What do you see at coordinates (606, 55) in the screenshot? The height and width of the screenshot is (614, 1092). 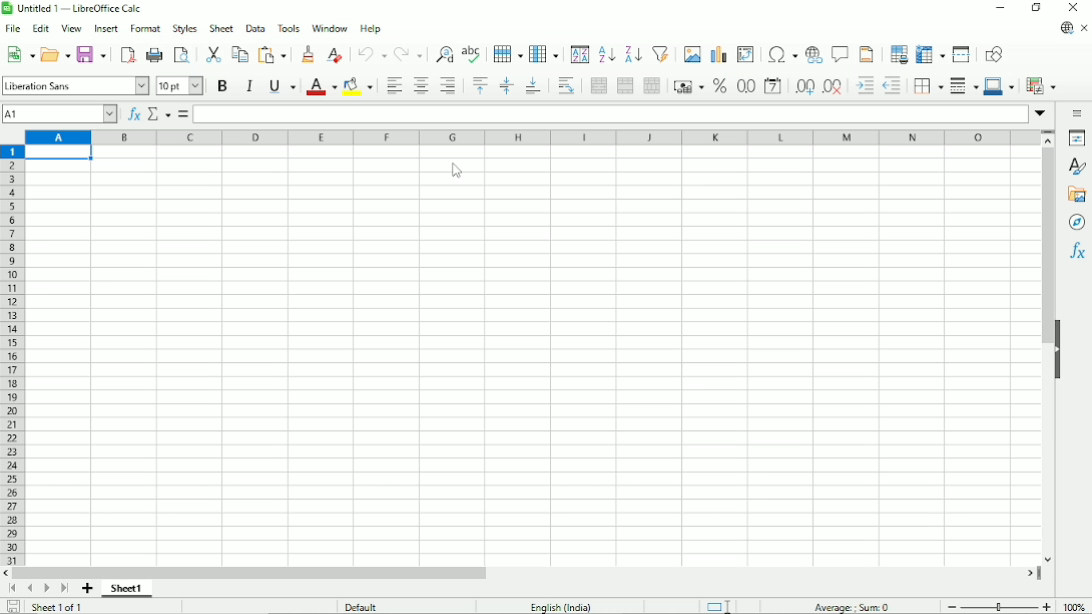 I see `Sort ascending` at bounding box center [606, 55].